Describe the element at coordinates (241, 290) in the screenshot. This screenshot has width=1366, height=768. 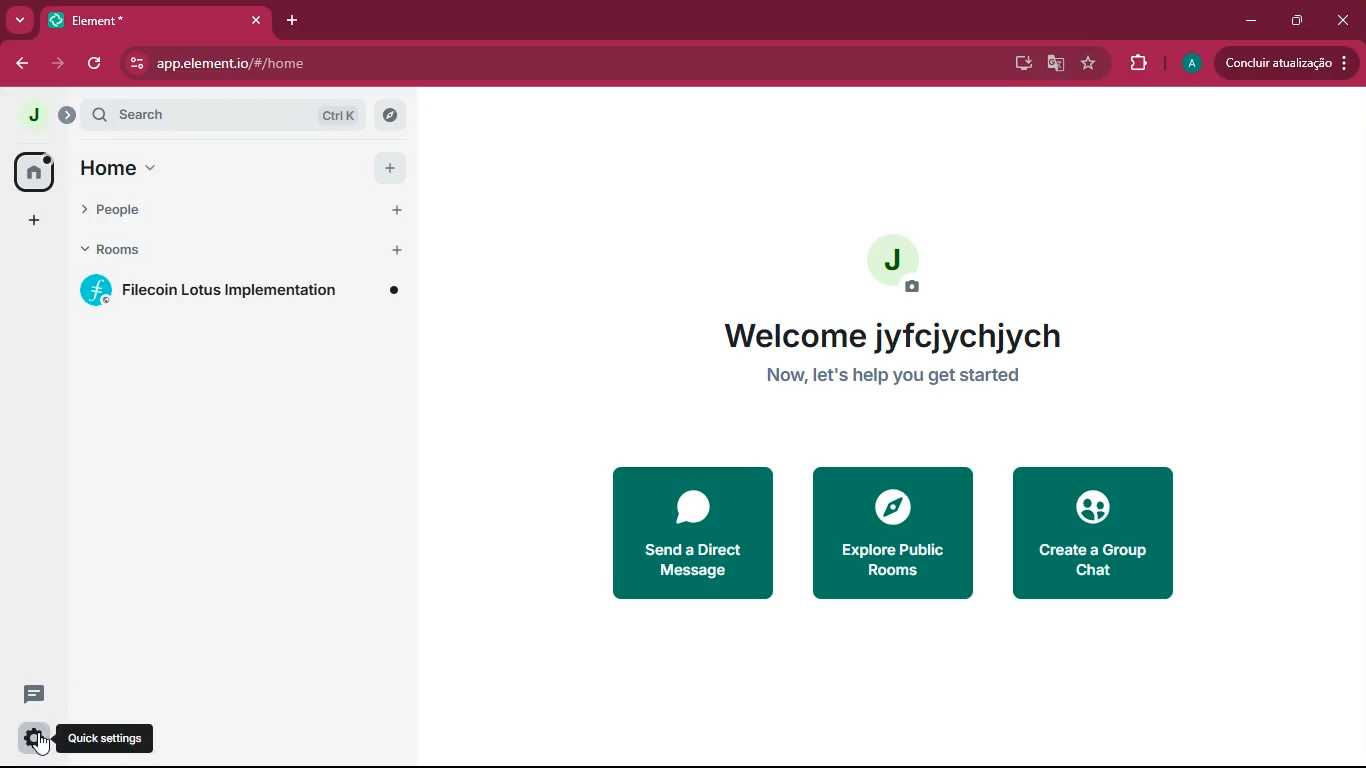
I see `filecoin lotus implementation` at that location.